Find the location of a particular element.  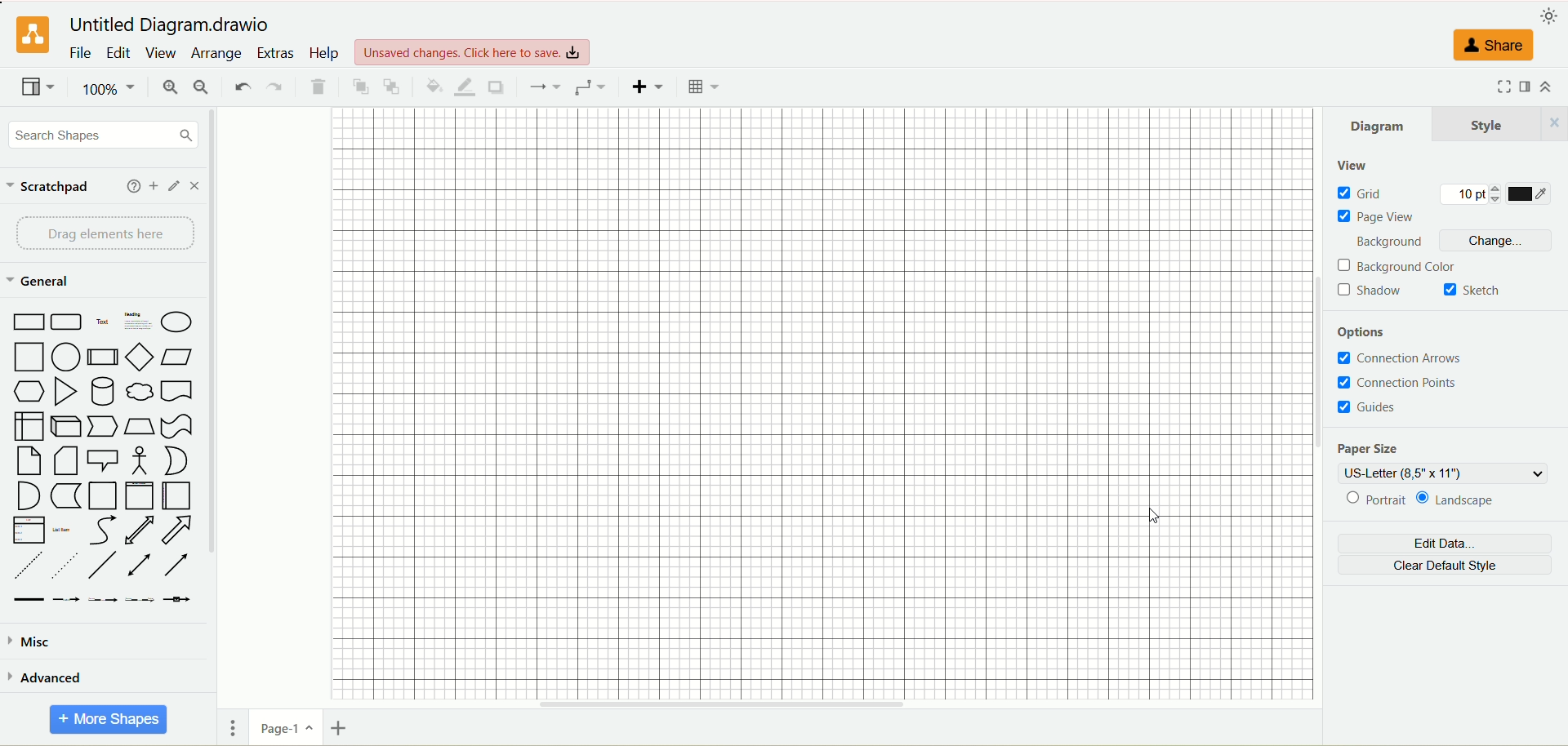

insert page is located at coordinates (337, 730).